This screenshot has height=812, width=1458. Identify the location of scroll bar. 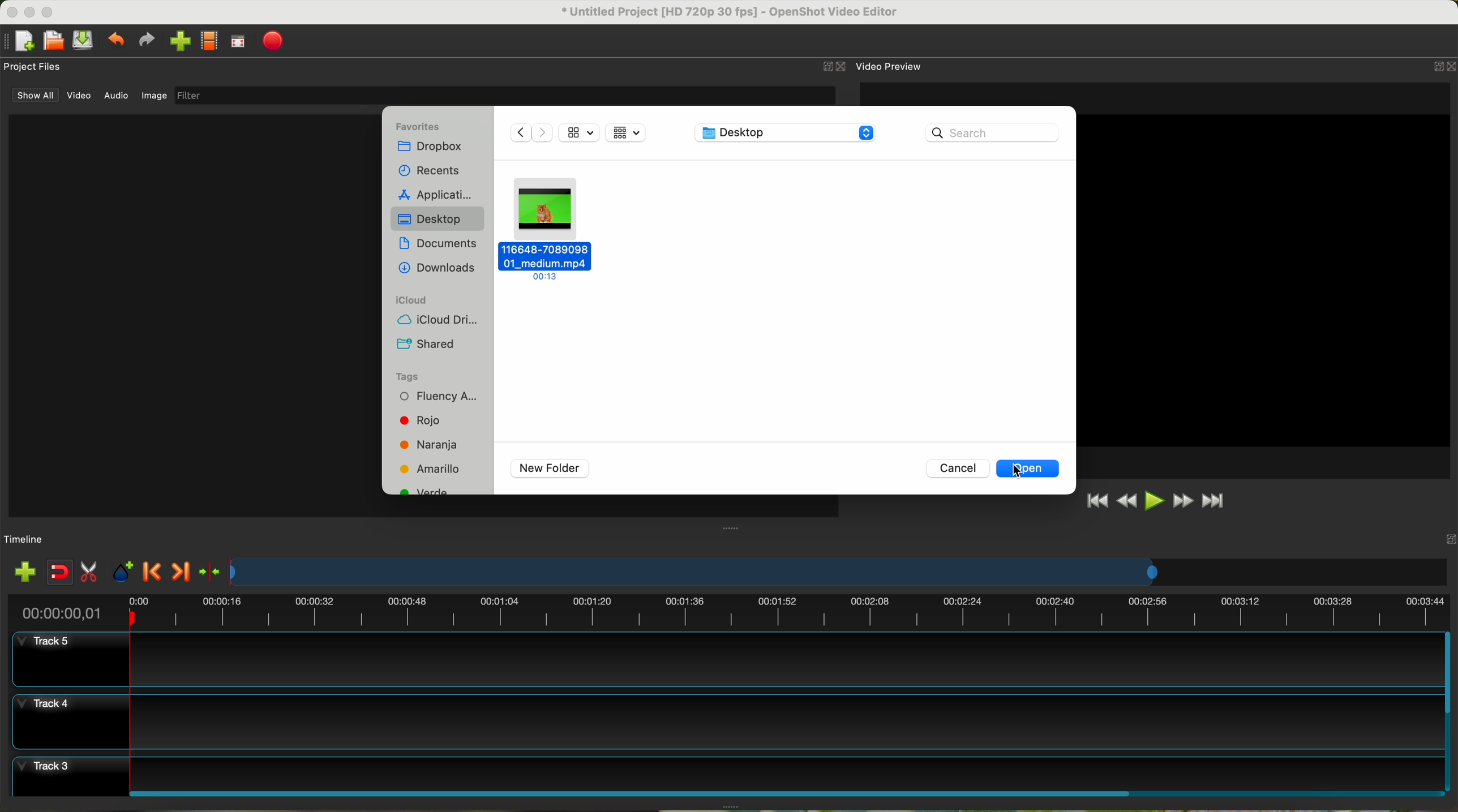
(784, 792).